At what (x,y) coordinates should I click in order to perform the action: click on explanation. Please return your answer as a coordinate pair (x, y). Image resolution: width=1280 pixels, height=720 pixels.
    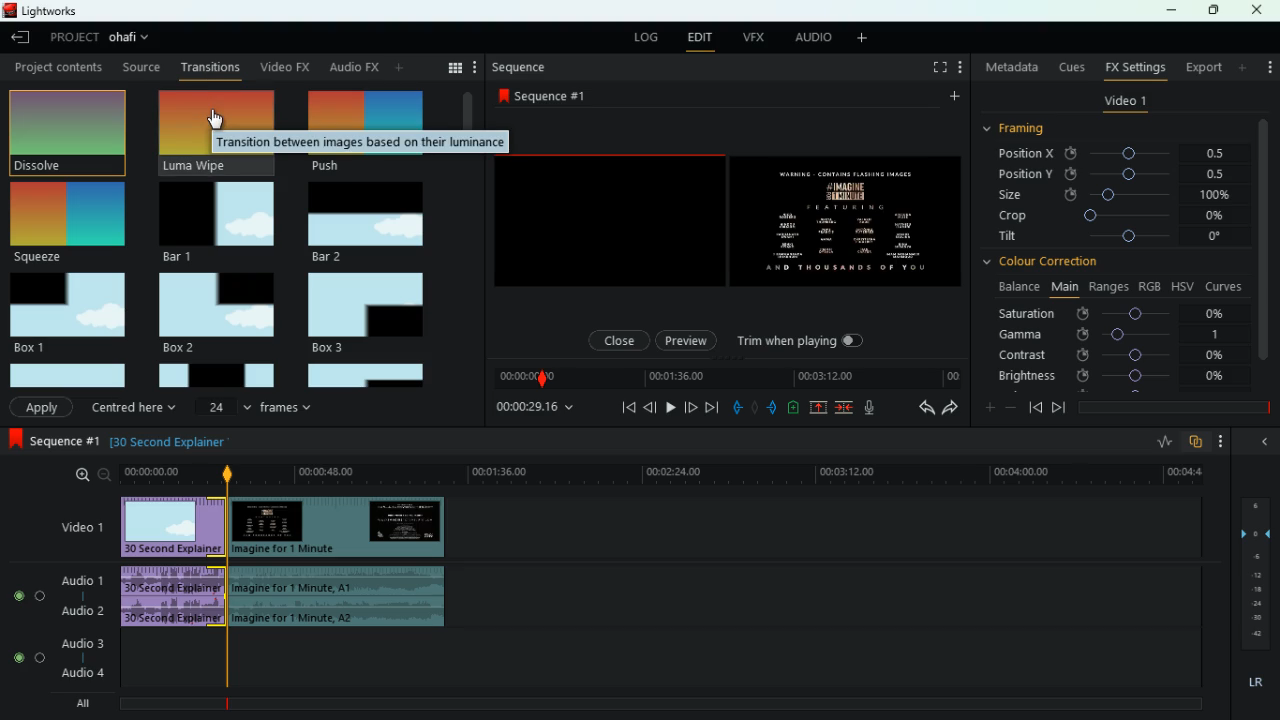
    Looking at the image, I should click on (175, 441).